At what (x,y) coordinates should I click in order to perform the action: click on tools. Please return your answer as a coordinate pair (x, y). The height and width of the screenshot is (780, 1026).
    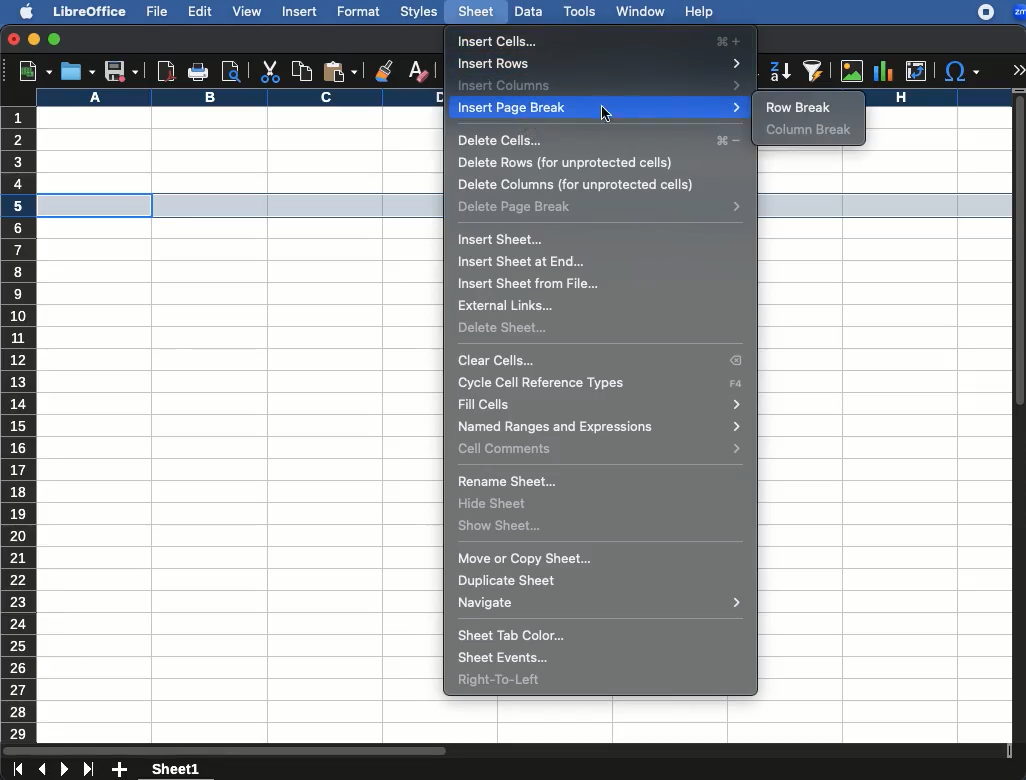
    Looking at the image, I should click on (581, 11).